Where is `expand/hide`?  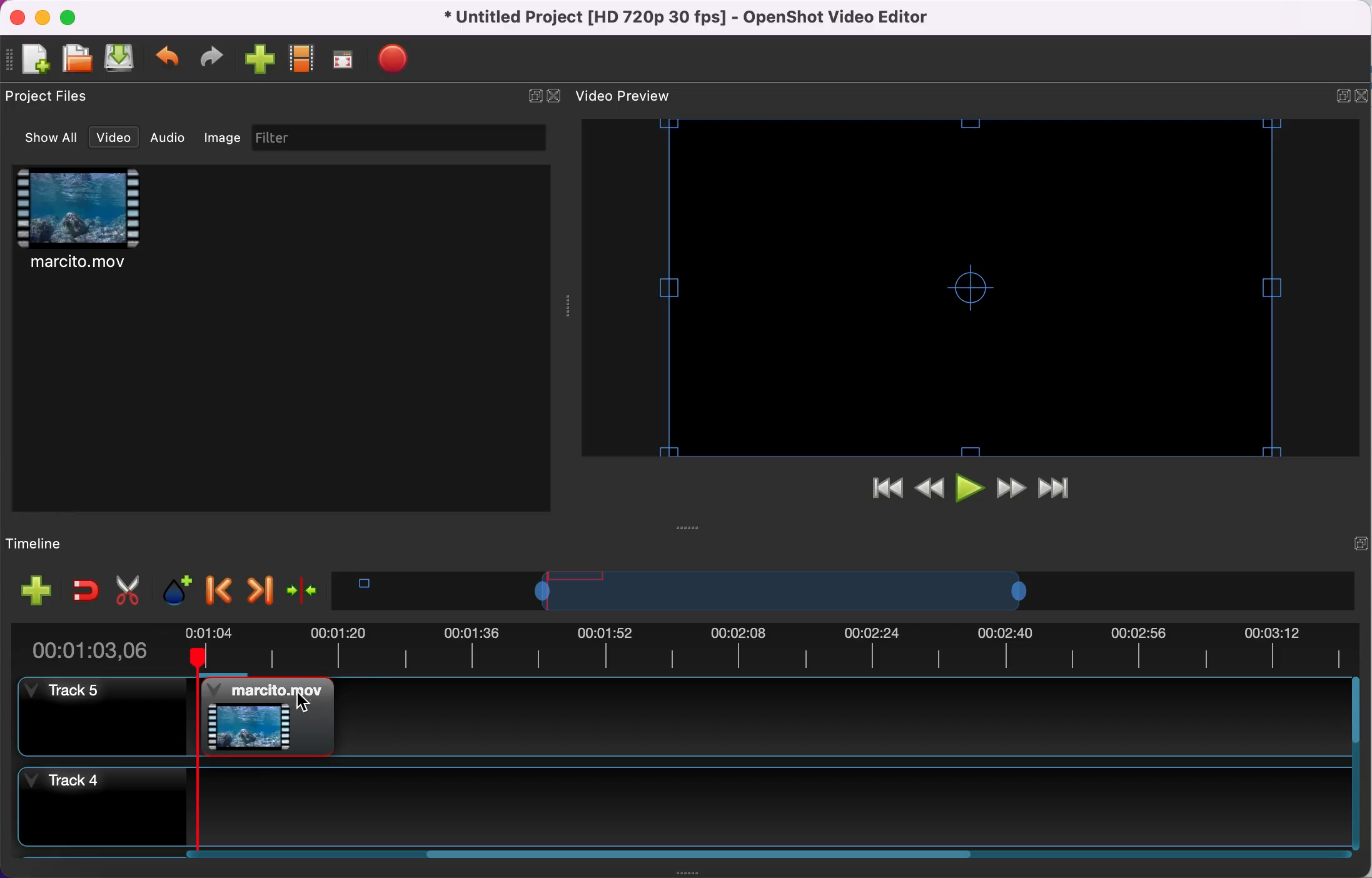 expand/hide is located at coordinates (531, 96).